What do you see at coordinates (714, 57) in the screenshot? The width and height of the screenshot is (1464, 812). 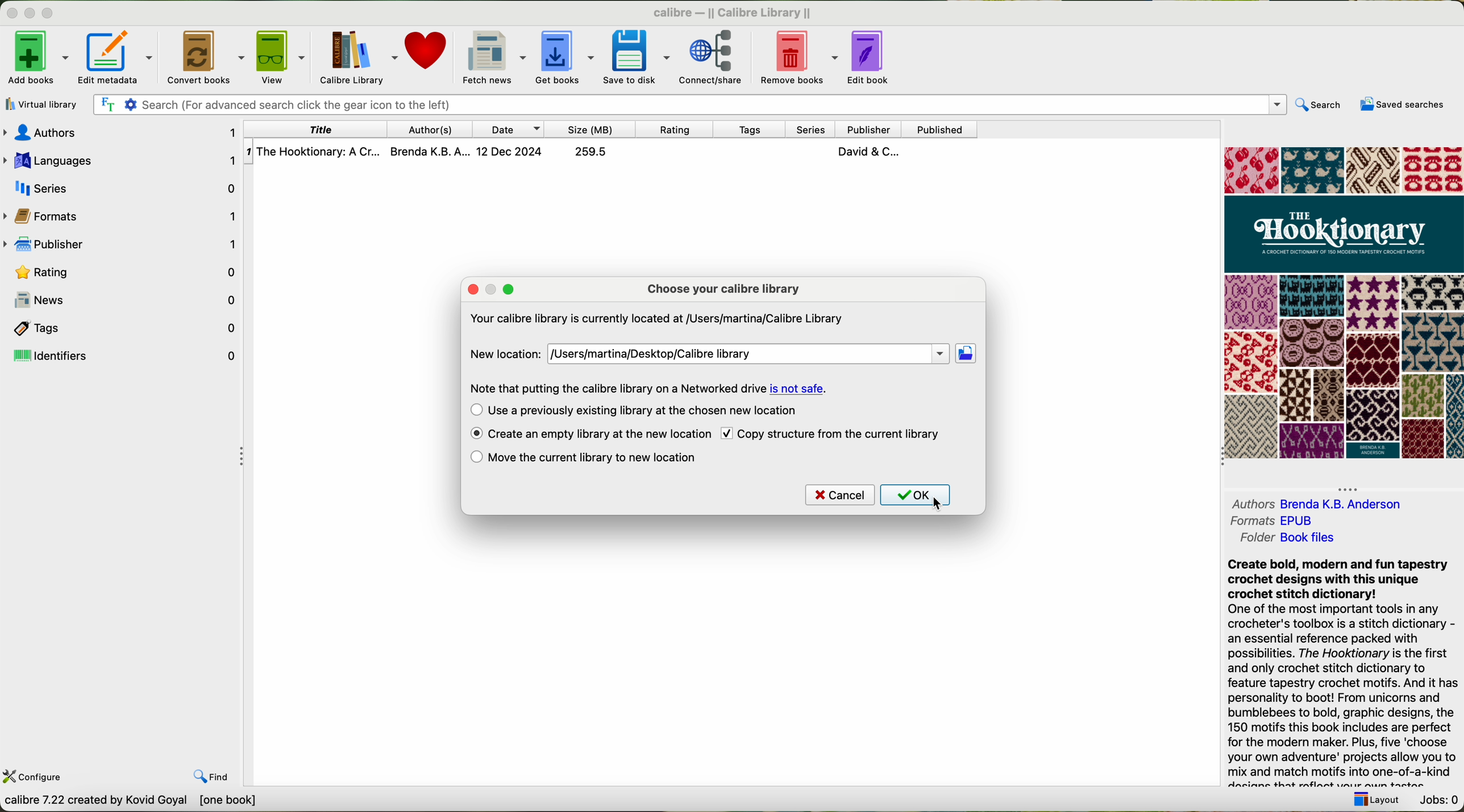 I see `connect/share` at bounding box center [714, 57].